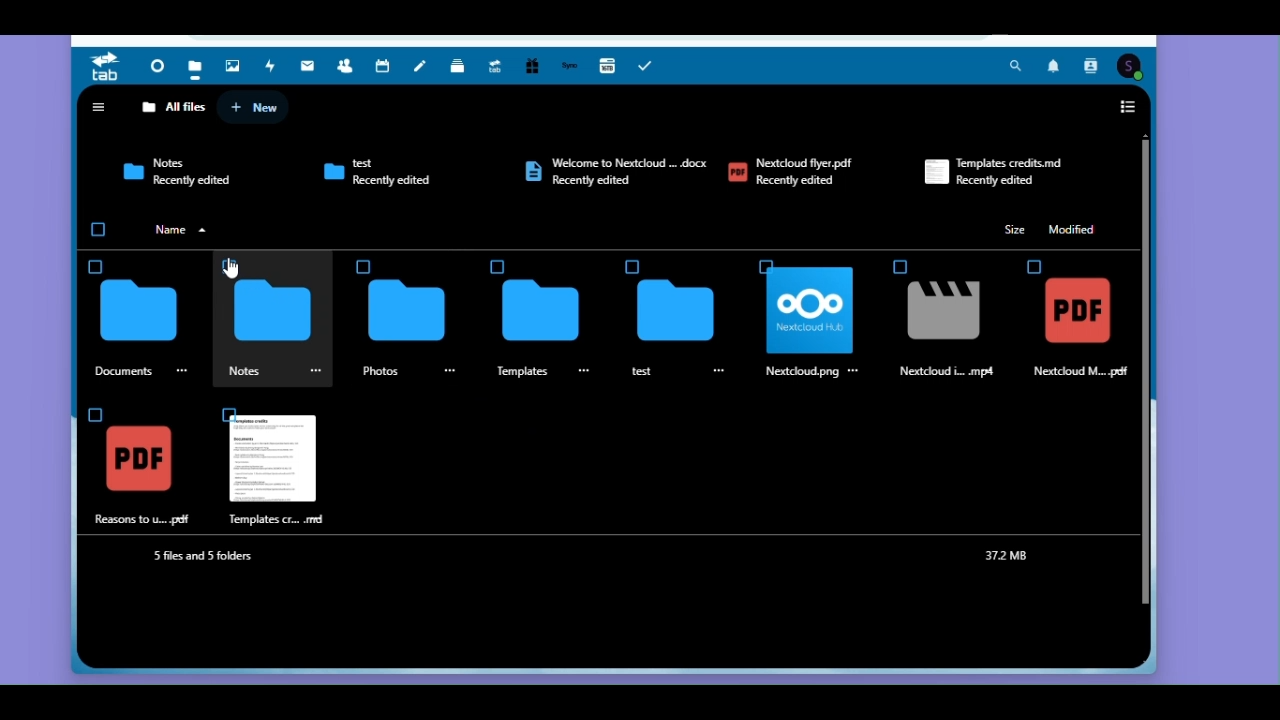 This screenshot has height=720, width=1280. I want to click on Icon, so click(934, 170).